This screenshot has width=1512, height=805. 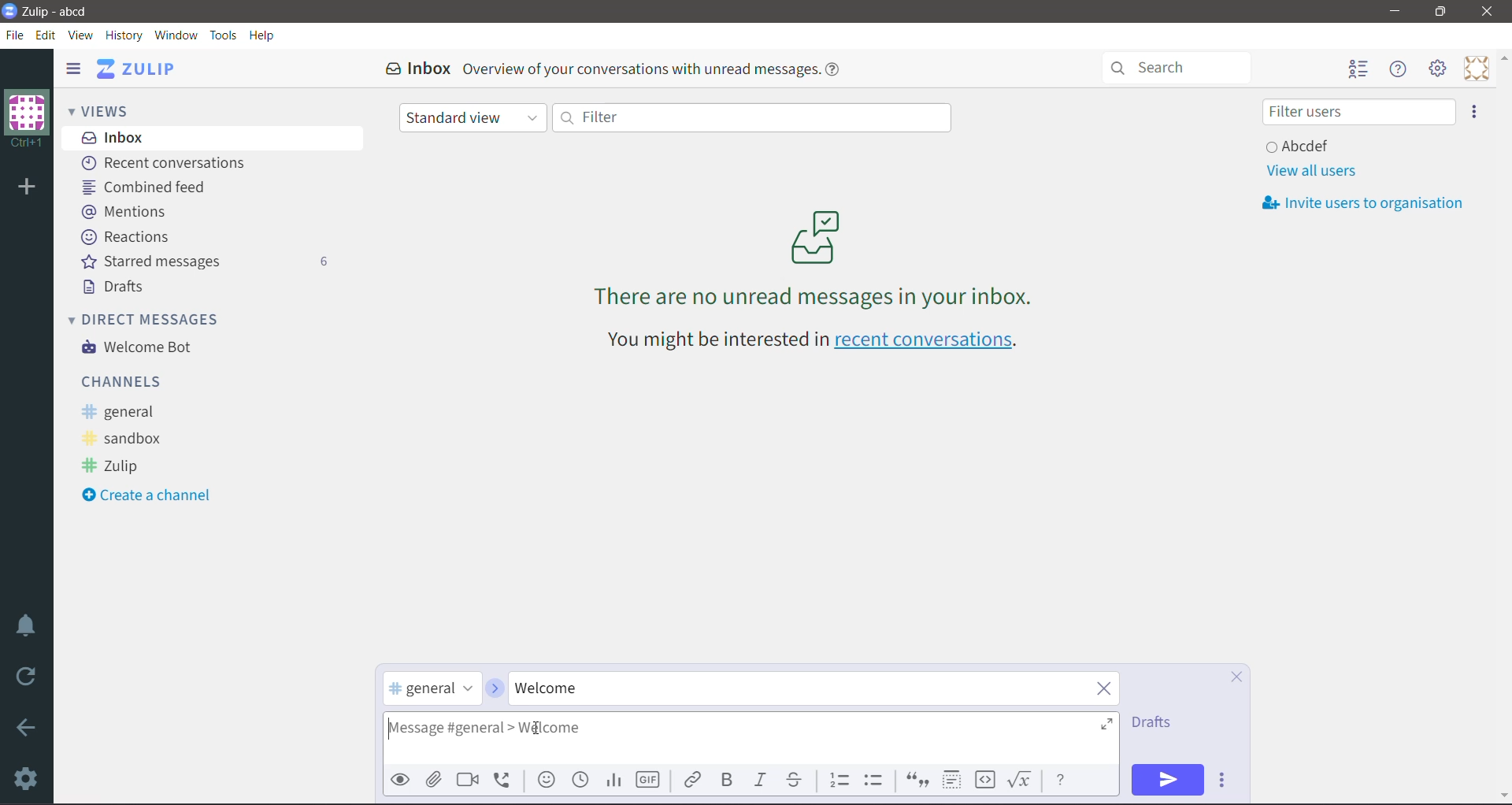 I want to click on Standard view, so click(x=473, y=119).